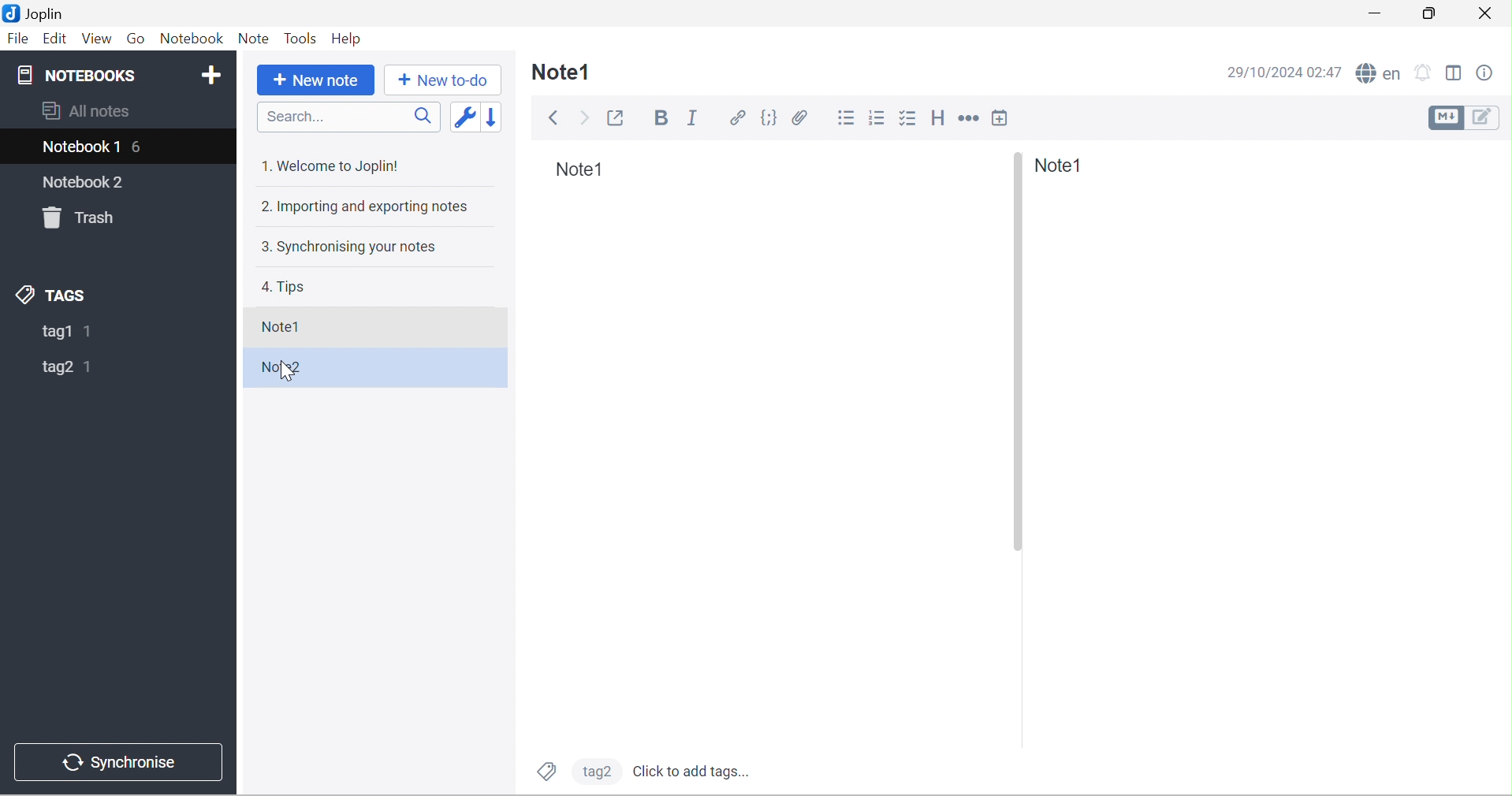 This screenshot has width=1512, height=796. What do you see at coordinates (285, 374) in the screenshot?
I see `cursor` at bounding box center [285, 374].